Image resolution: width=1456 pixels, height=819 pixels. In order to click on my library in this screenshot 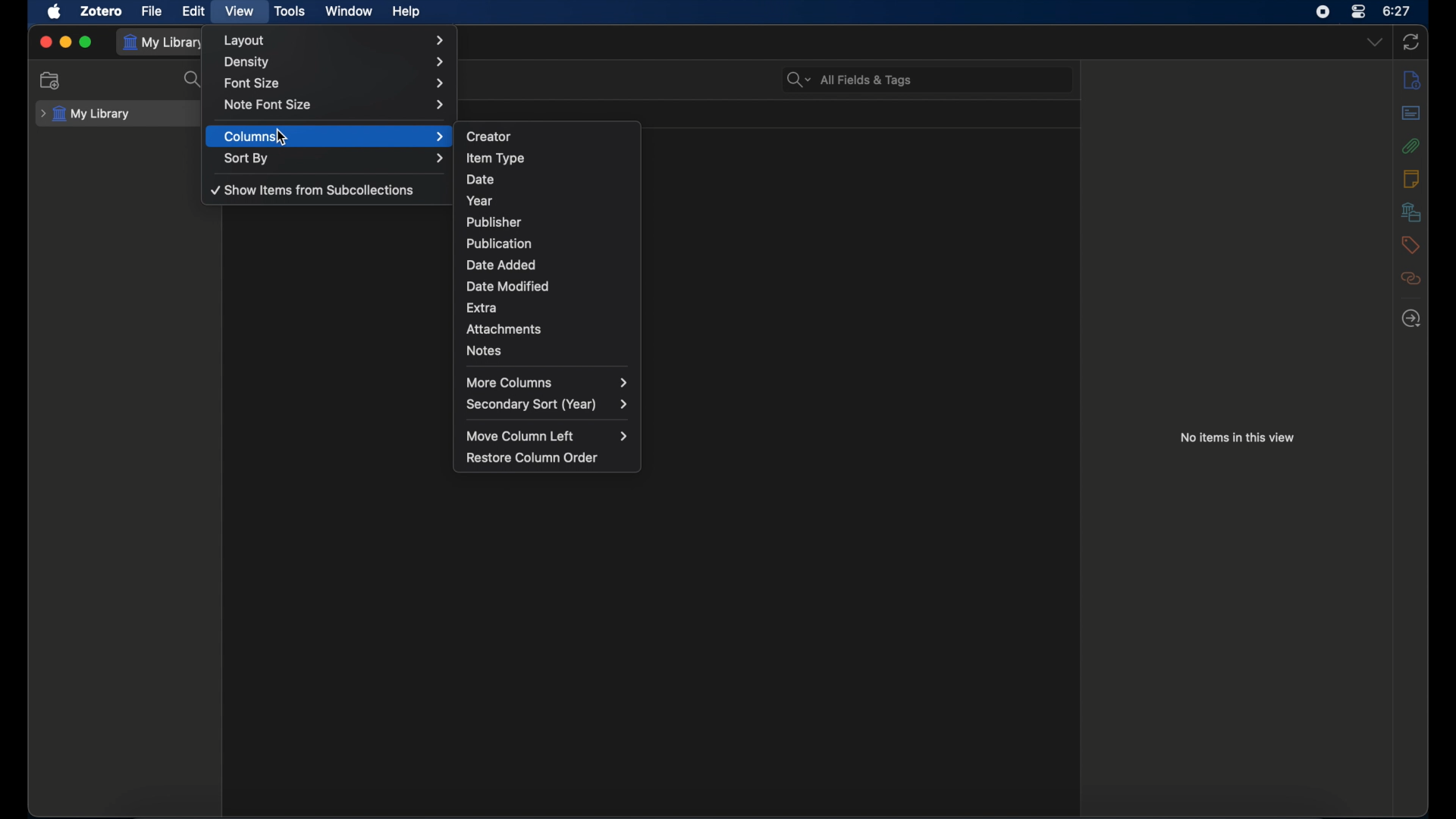, I will do `click(165, 42)`.